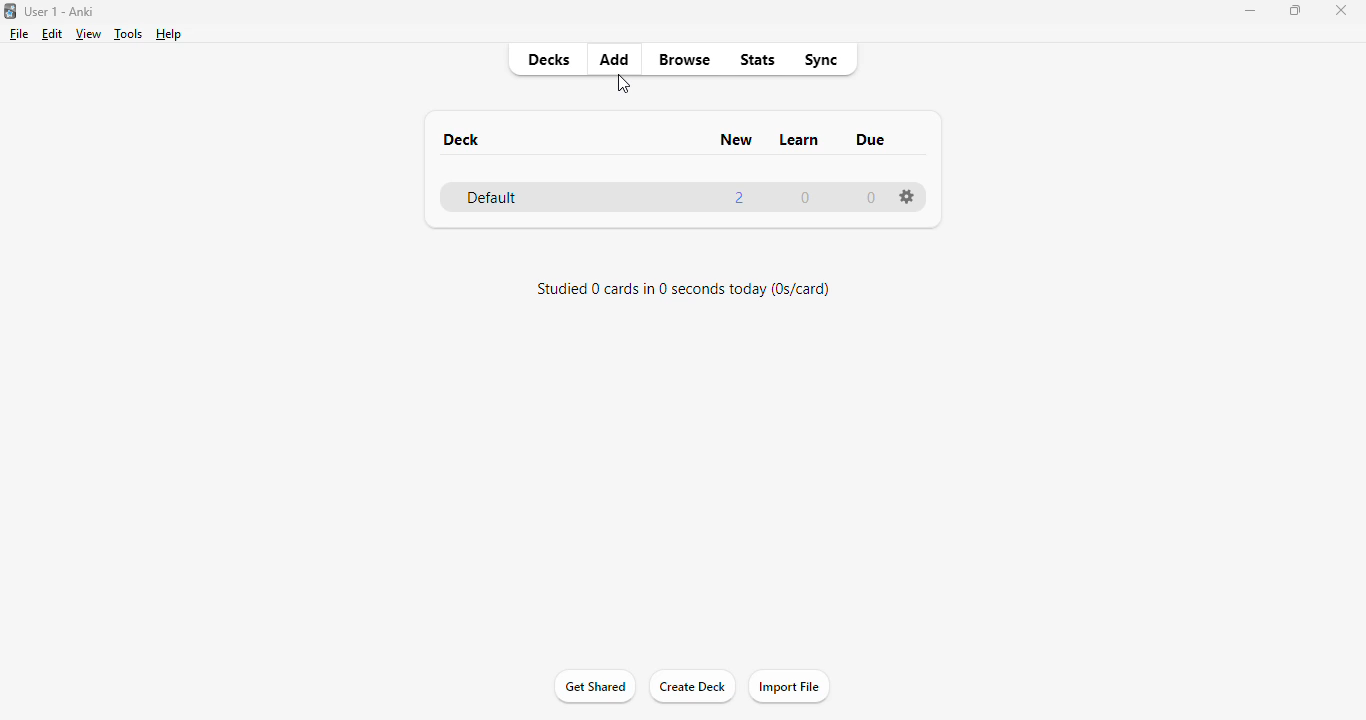  What do you see at coordinates (60, 11) in the screenshot?
I see `title` at bounding box center [60, 11].